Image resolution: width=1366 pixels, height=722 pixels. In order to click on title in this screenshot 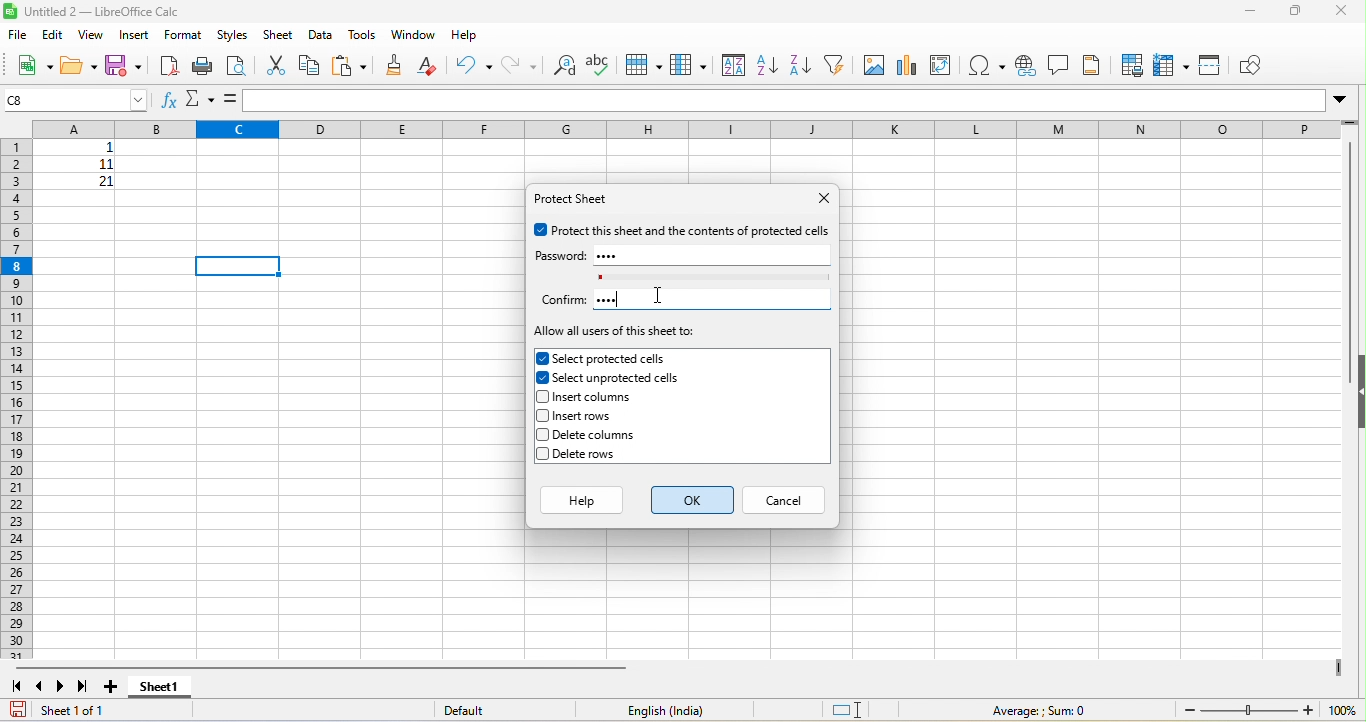, I will do `click(95, 12)`.